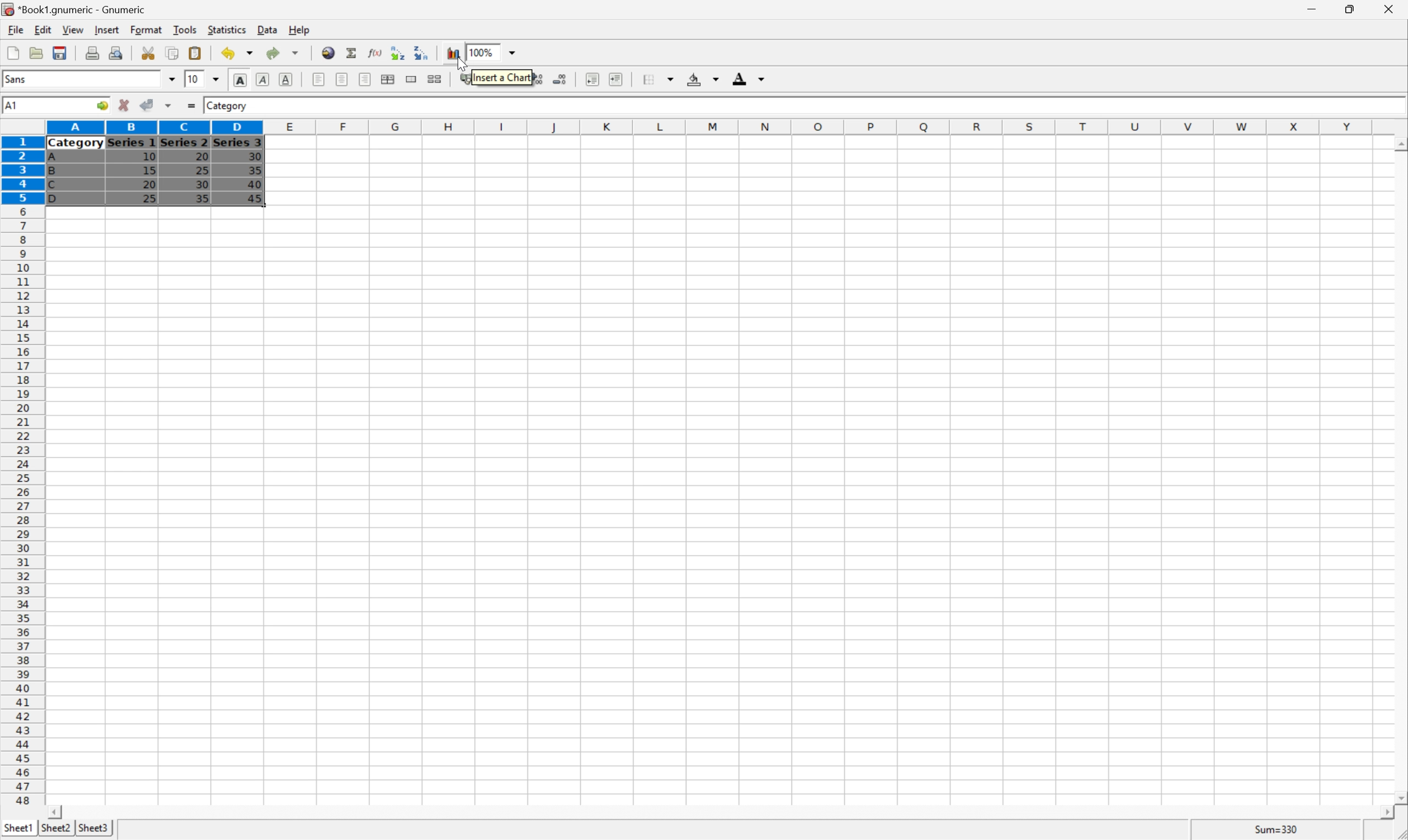 The image size is (1408, 840). What do you see at coordinates (281, 52) in the screenshot?
I see `Redo` at bounding box center [281, 52].